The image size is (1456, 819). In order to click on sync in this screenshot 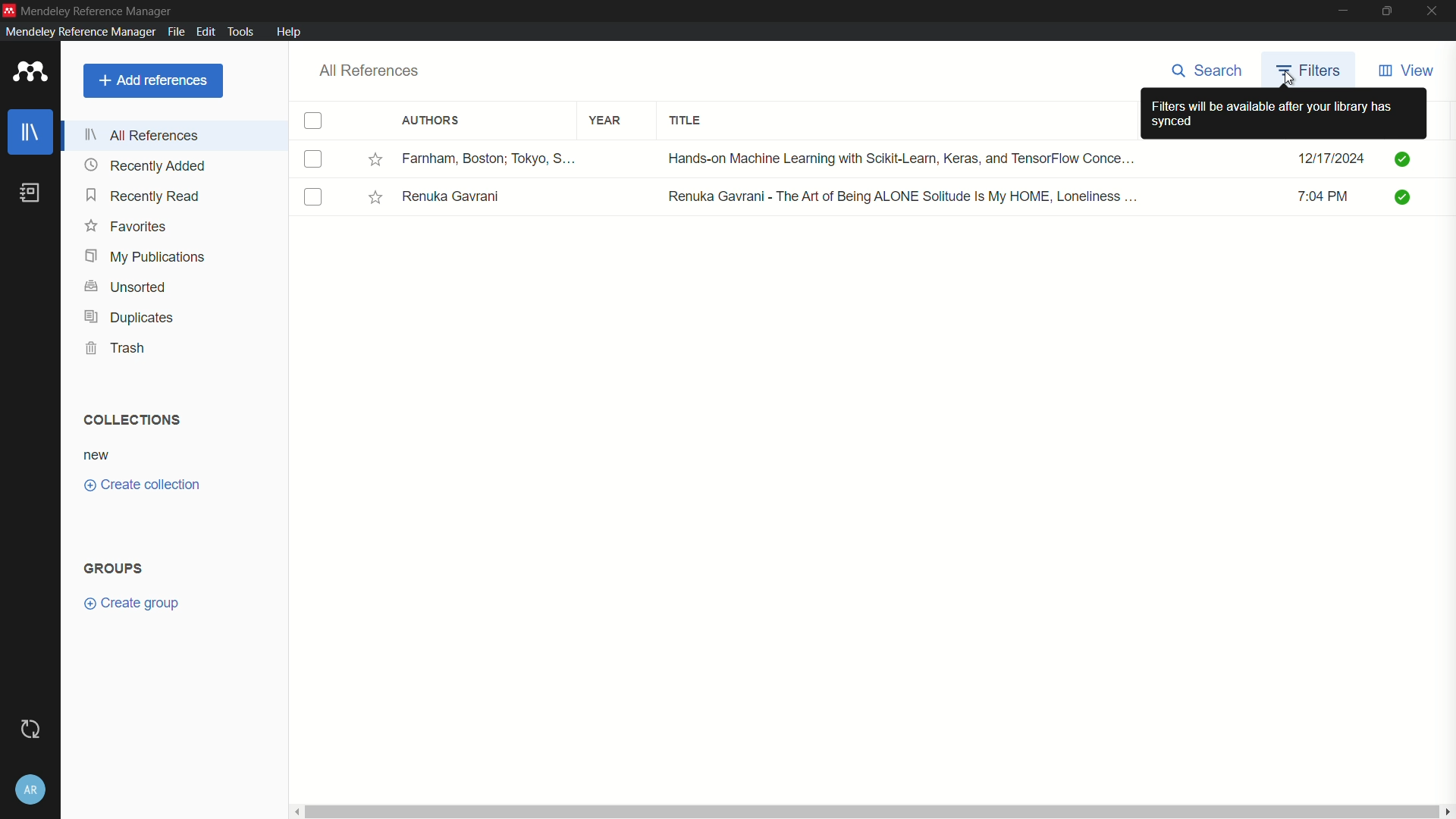, I will do `click(30, 728)`.